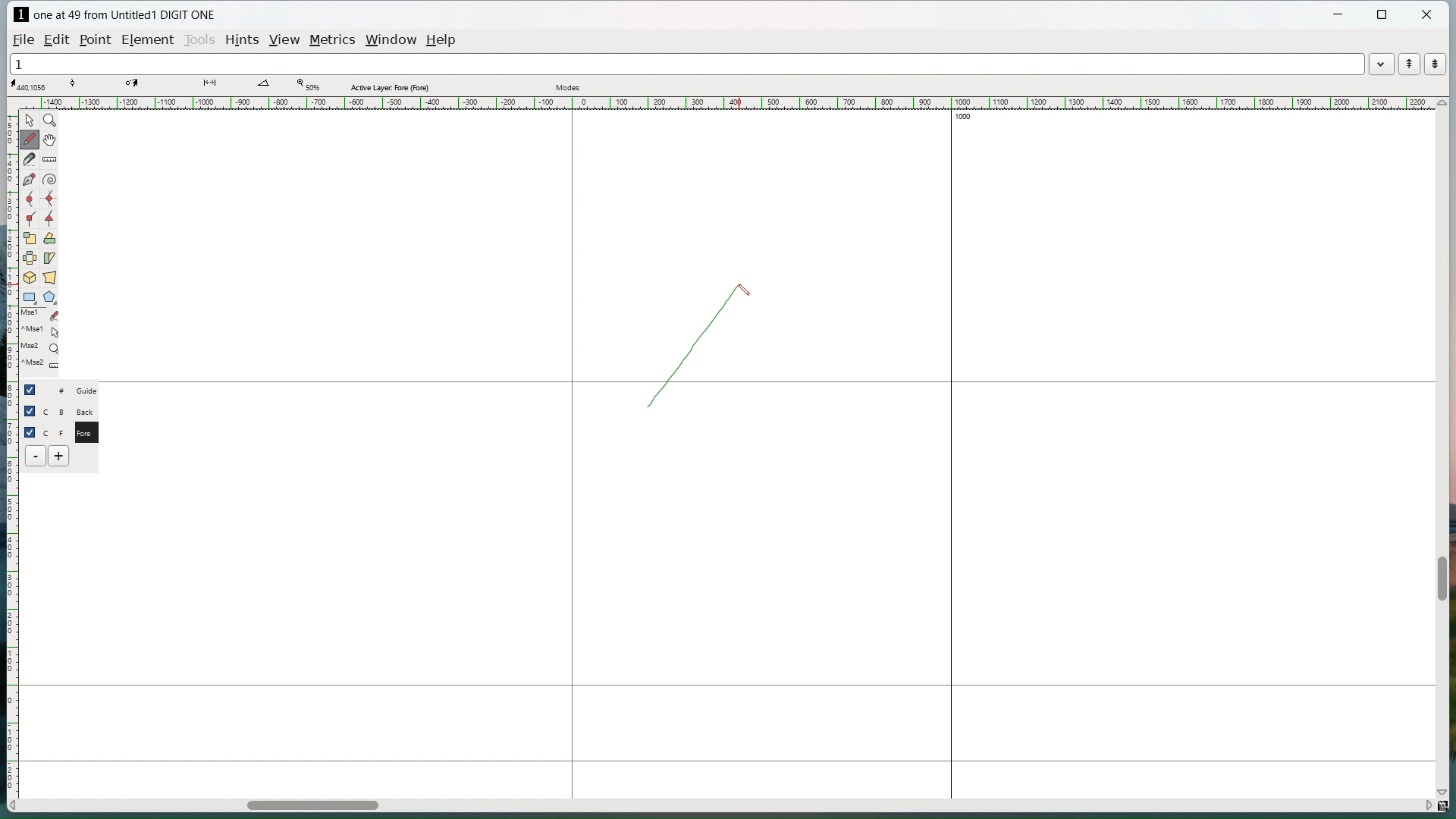 This screenshot has width=1456, height=819. What do you see at coordinates (50, 297) in the screenshot?
I see `polygon/star` at bounding box center [50, 297].